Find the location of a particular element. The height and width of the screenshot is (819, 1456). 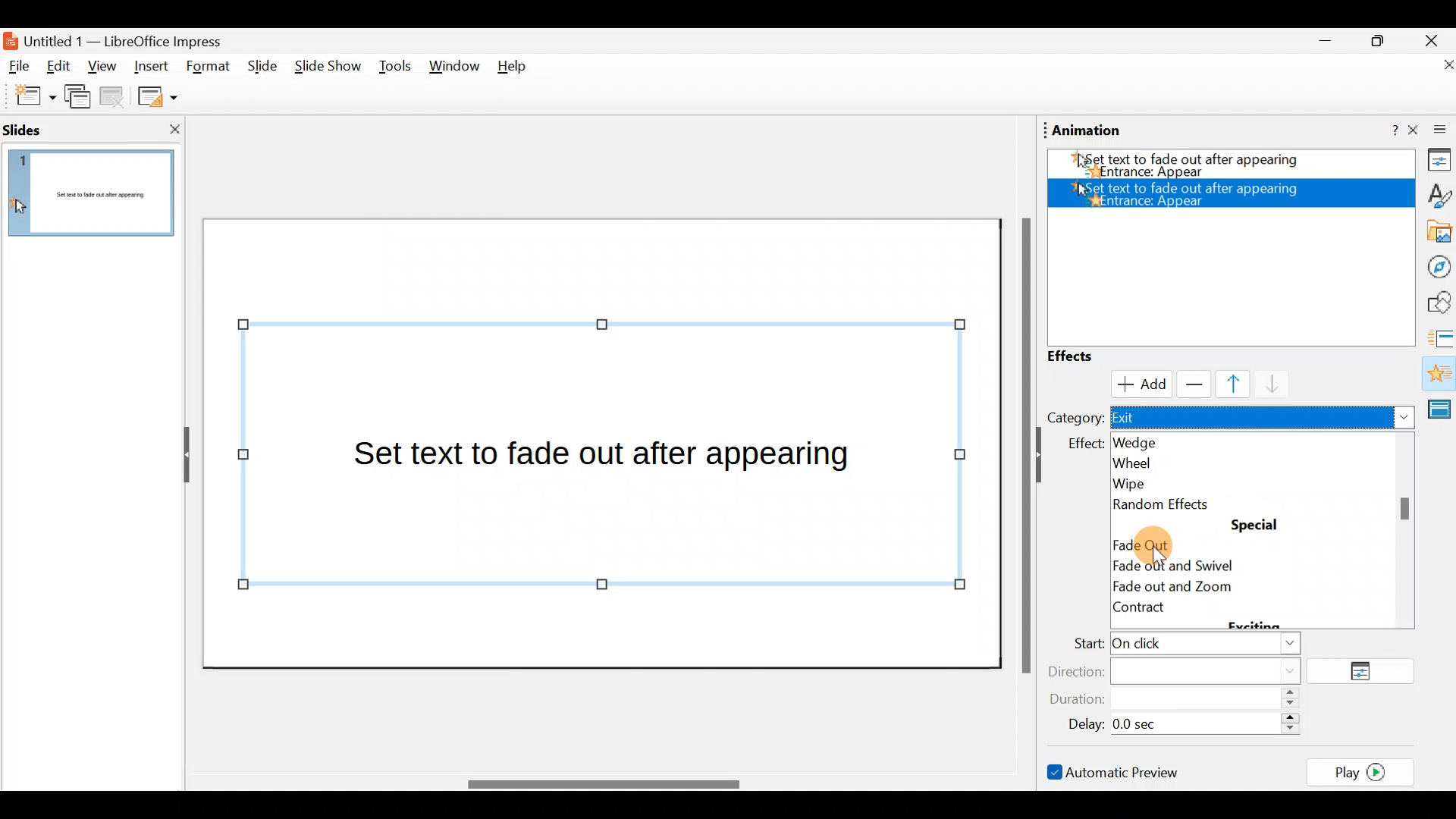

Slides is located at coordinates (49, 129).